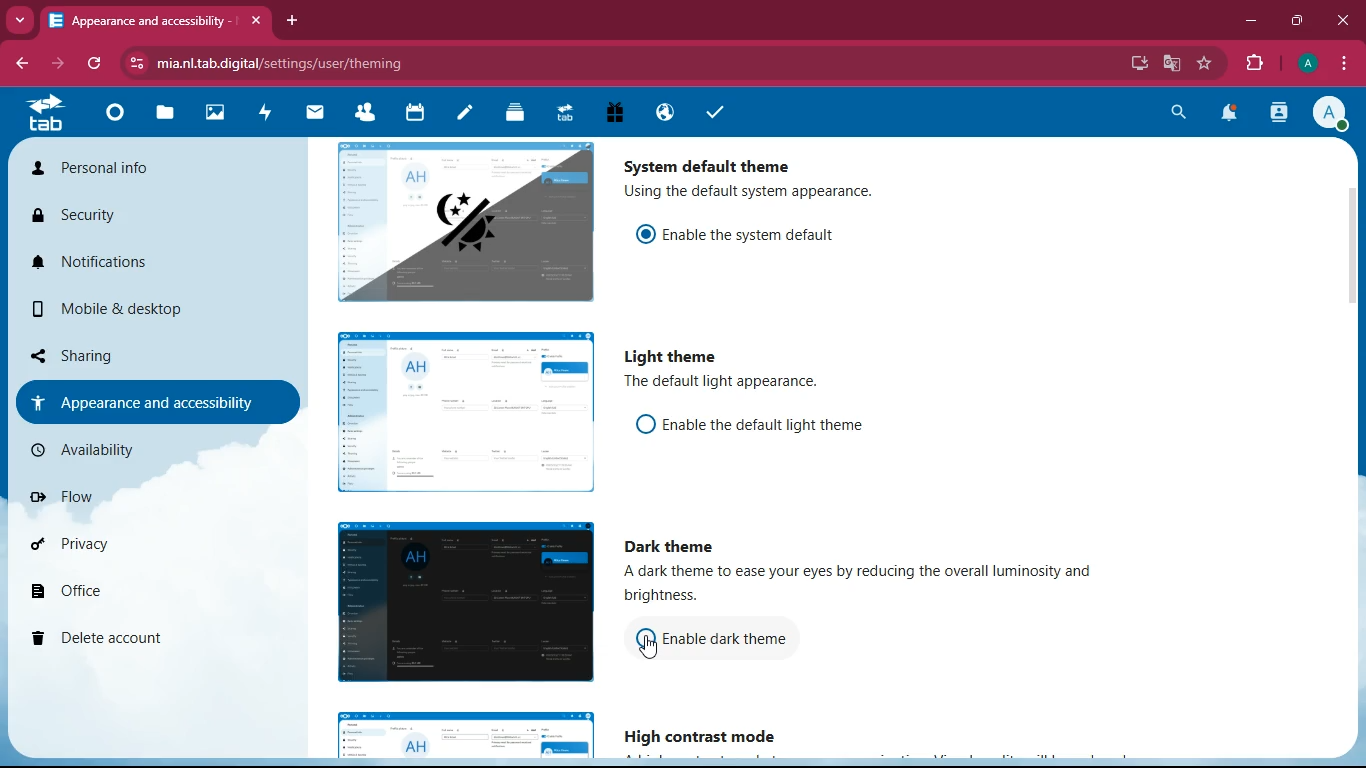 The image size is (1366, 768). I want to click on refresh, so click(95, 64).